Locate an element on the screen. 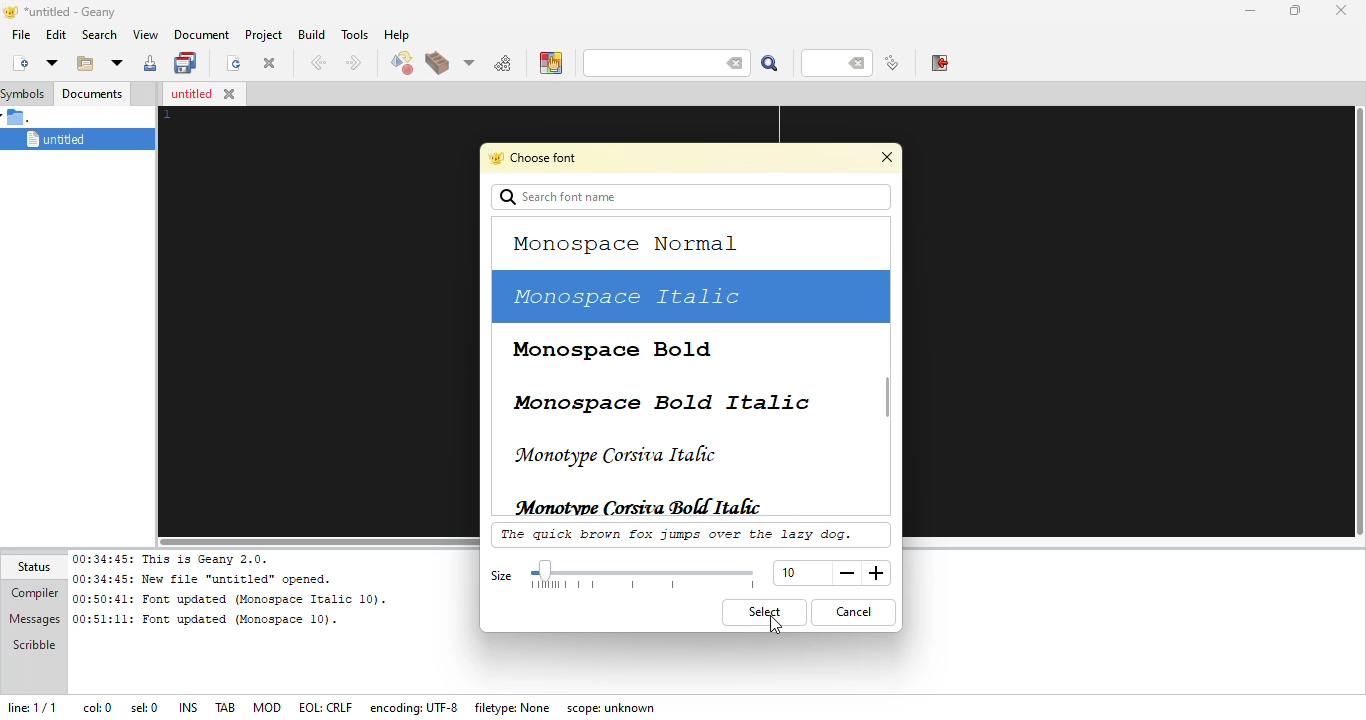 This screenshot has height=720, width=1366. sel: 0 is located at coordinates (142, 708).